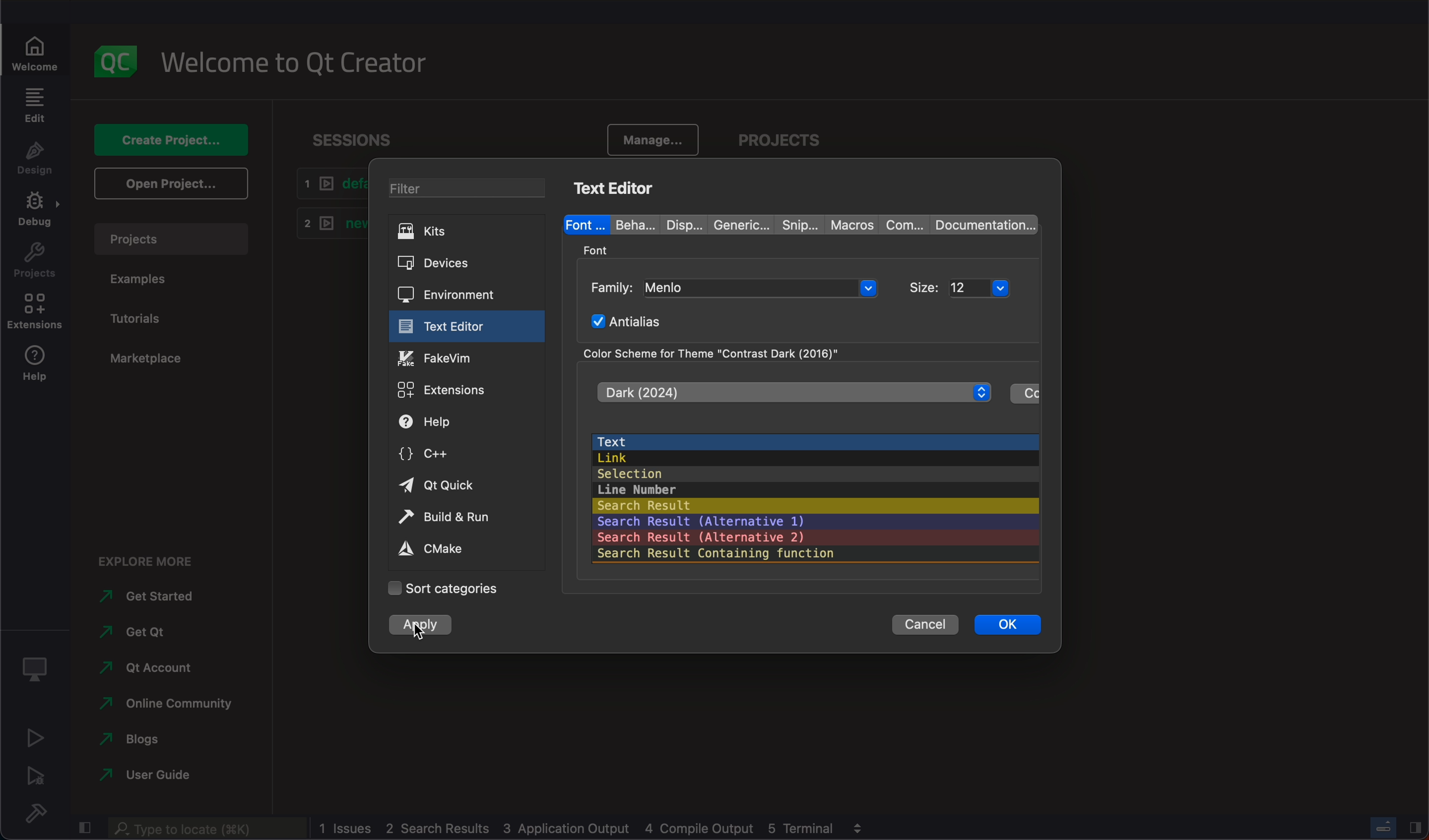 This screenshot has height=840, width=1429. I want to click on open , so click(170, 186).